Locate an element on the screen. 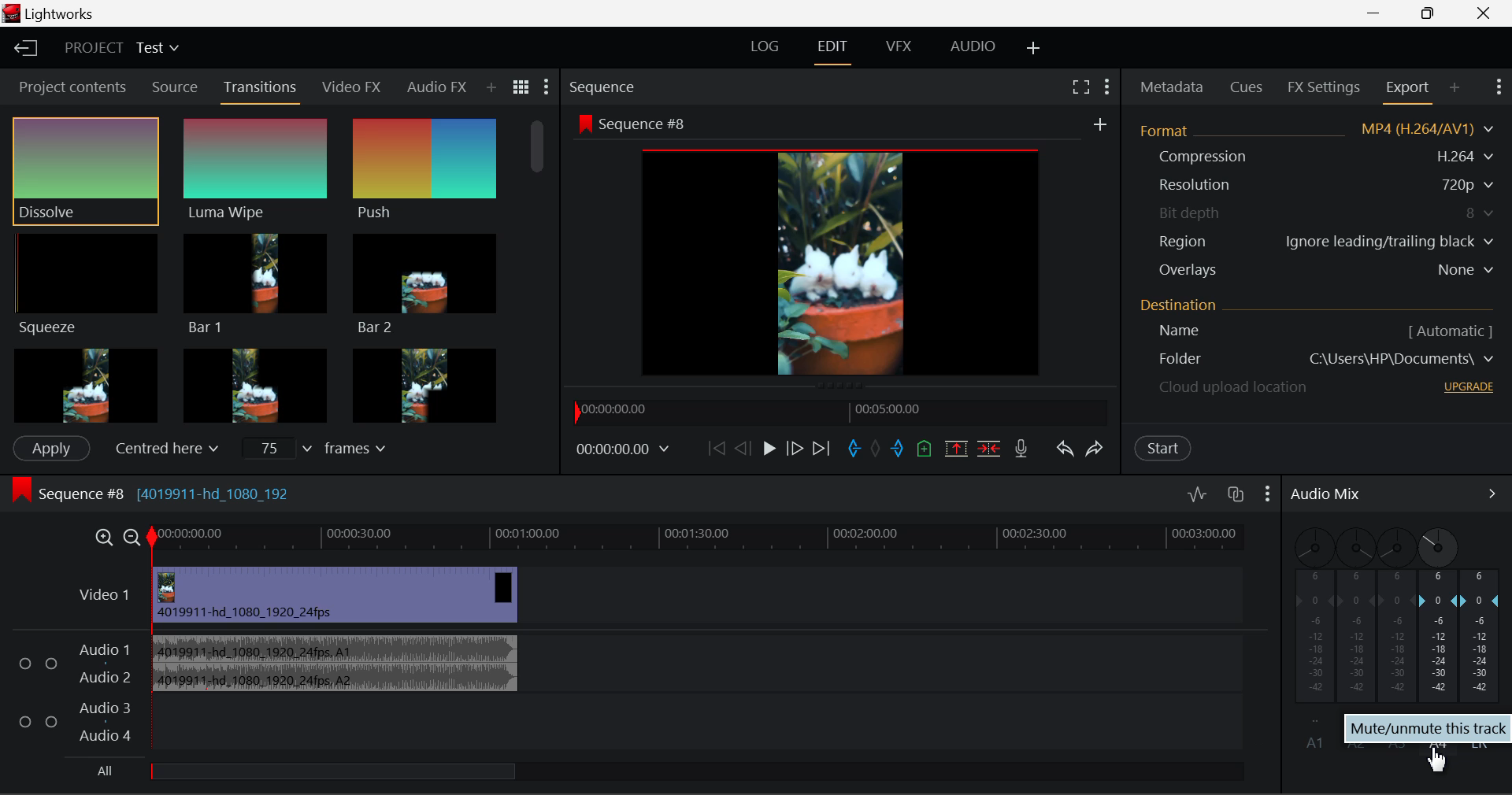 The width and height of the screenshot is (1512, 795). To Start is located at coordinates (714, 448).